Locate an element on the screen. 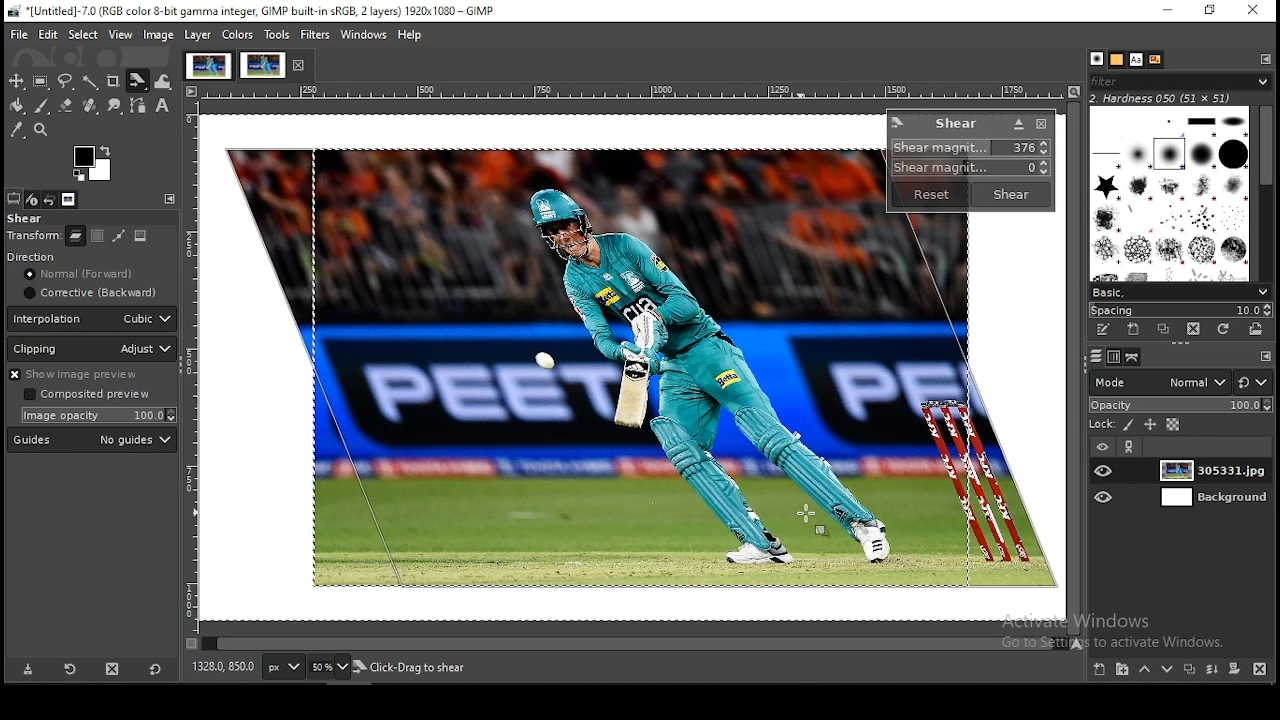  edit is located at coordinates (49, 34).